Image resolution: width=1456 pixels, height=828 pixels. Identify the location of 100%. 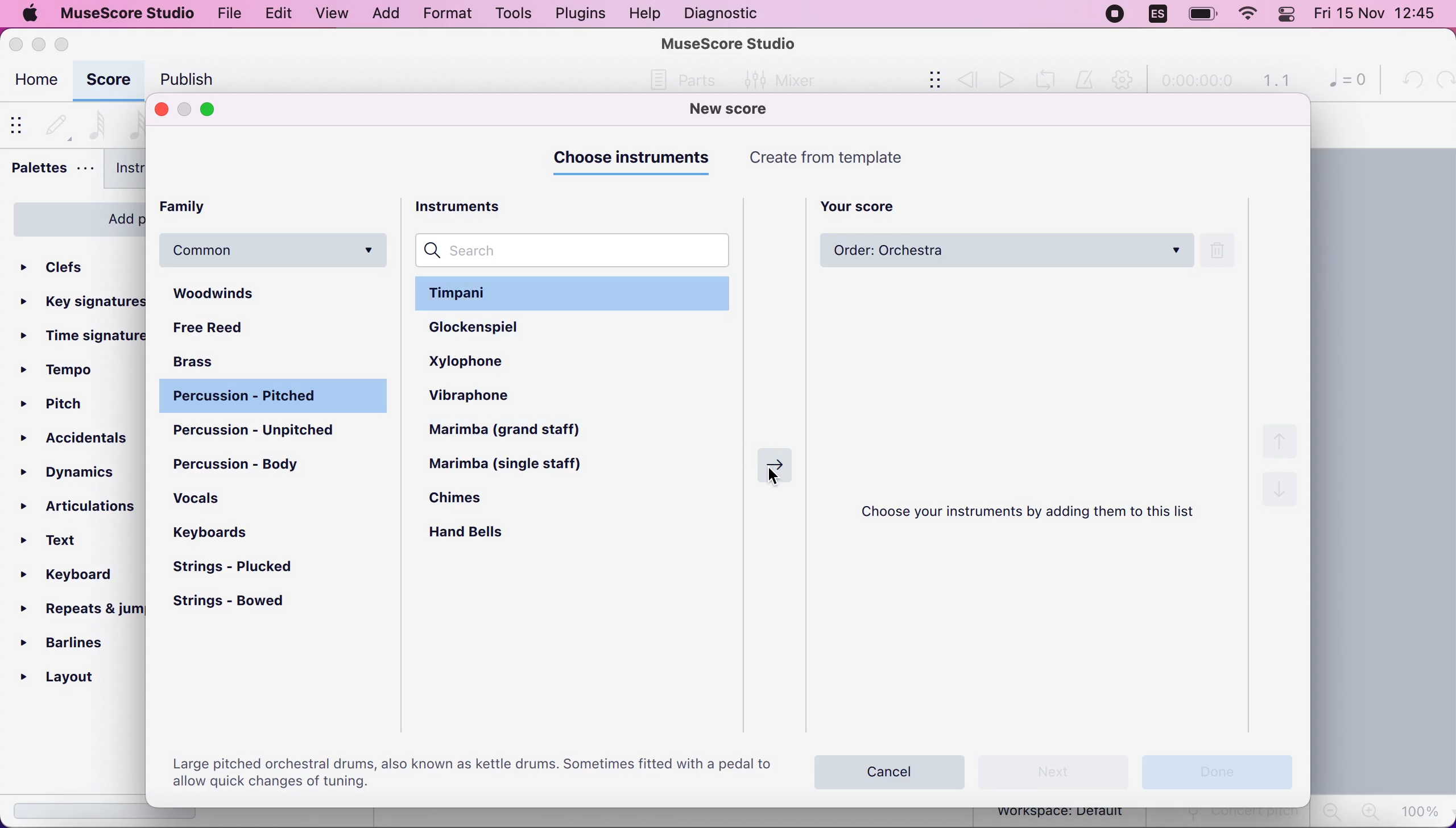
(1422, 810).